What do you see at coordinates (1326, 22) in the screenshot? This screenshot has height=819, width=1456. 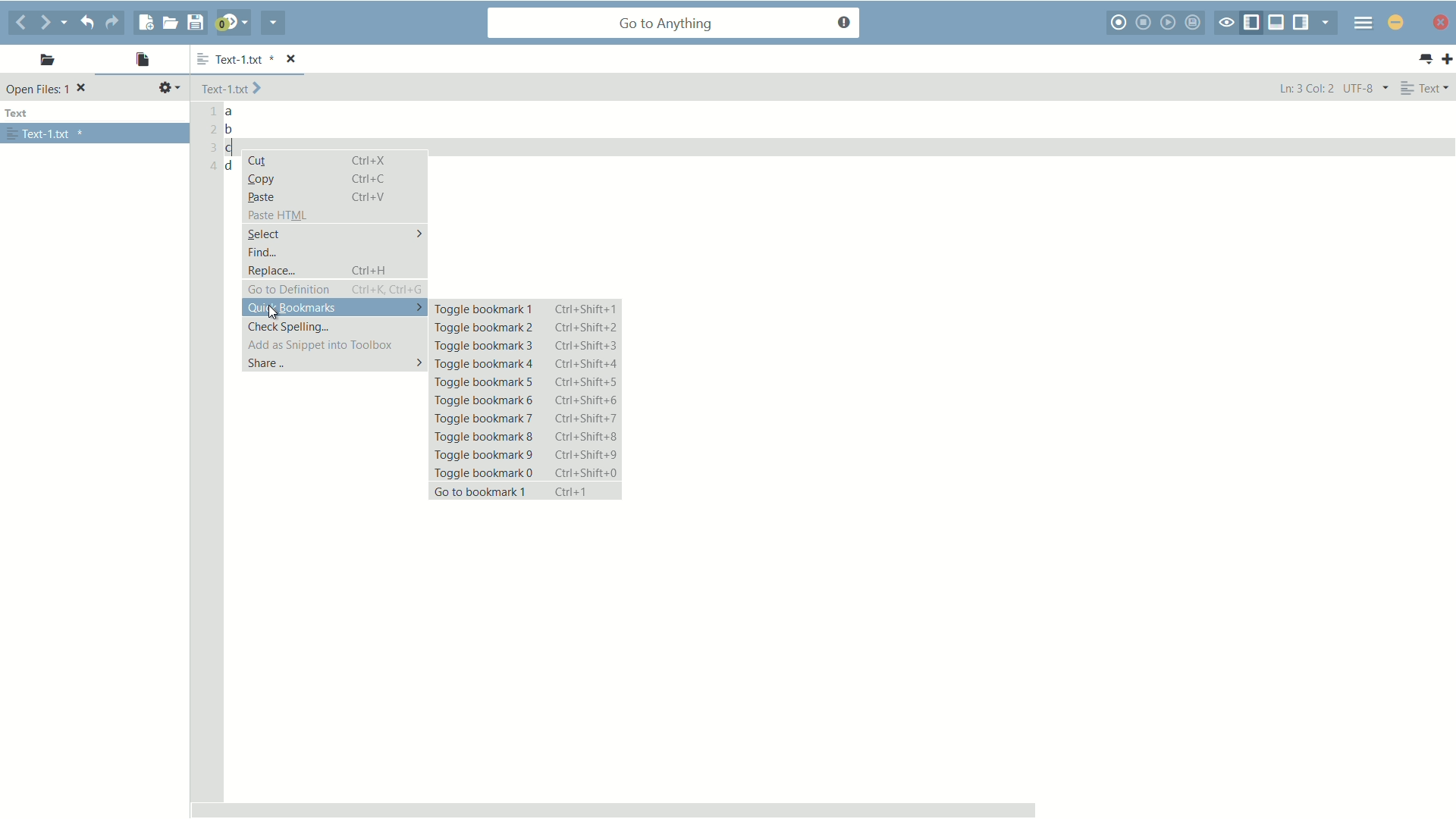 I see `show specific tab` at bounding box center [1326, 22].